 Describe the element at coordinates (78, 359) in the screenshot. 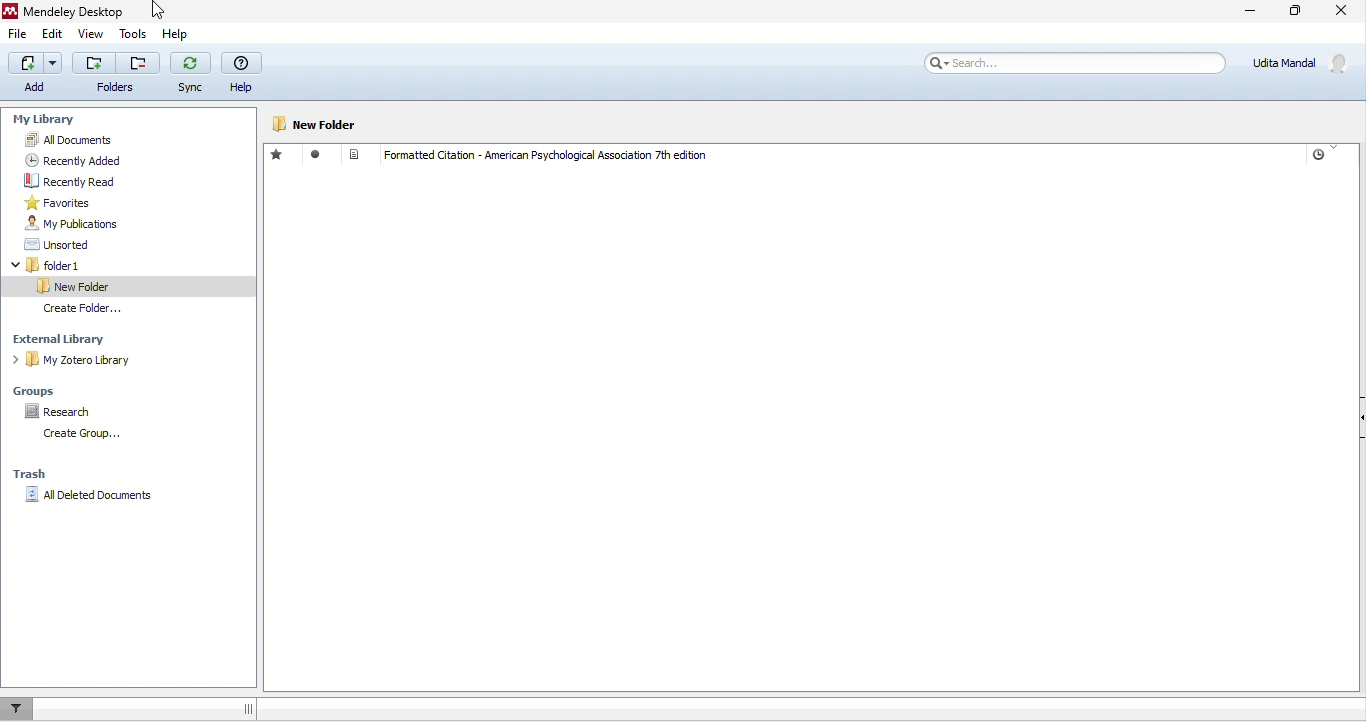

I see `my zotero library` at that location.